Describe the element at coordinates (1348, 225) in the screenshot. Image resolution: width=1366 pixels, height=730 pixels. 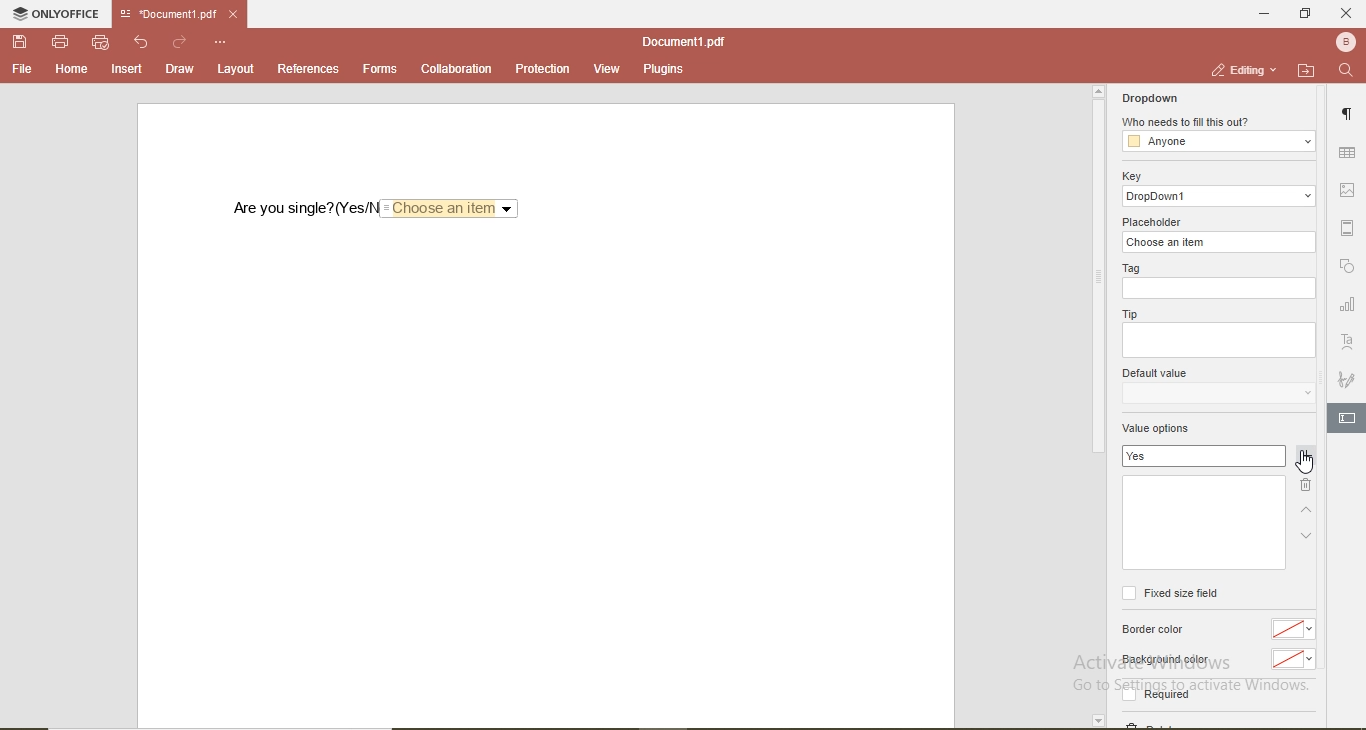
I see `margin` at that location.